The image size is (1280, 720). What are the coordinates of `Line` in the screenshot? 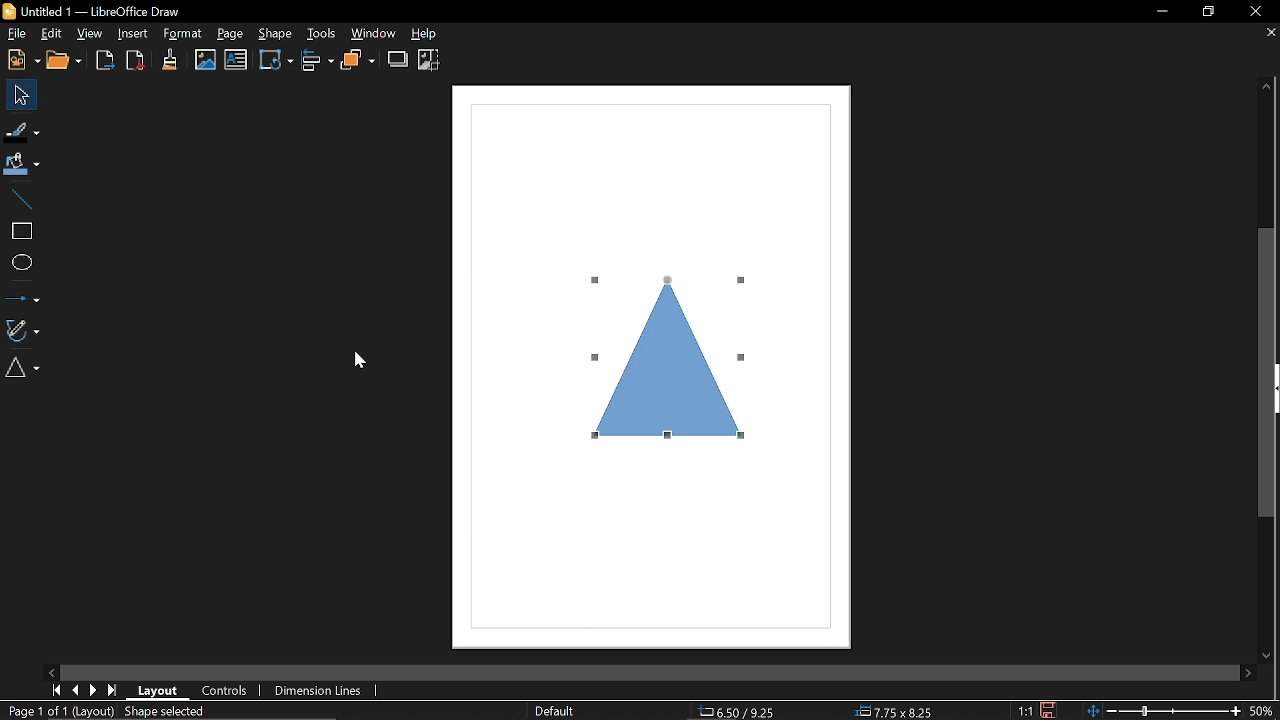 It's located at (19, 198).